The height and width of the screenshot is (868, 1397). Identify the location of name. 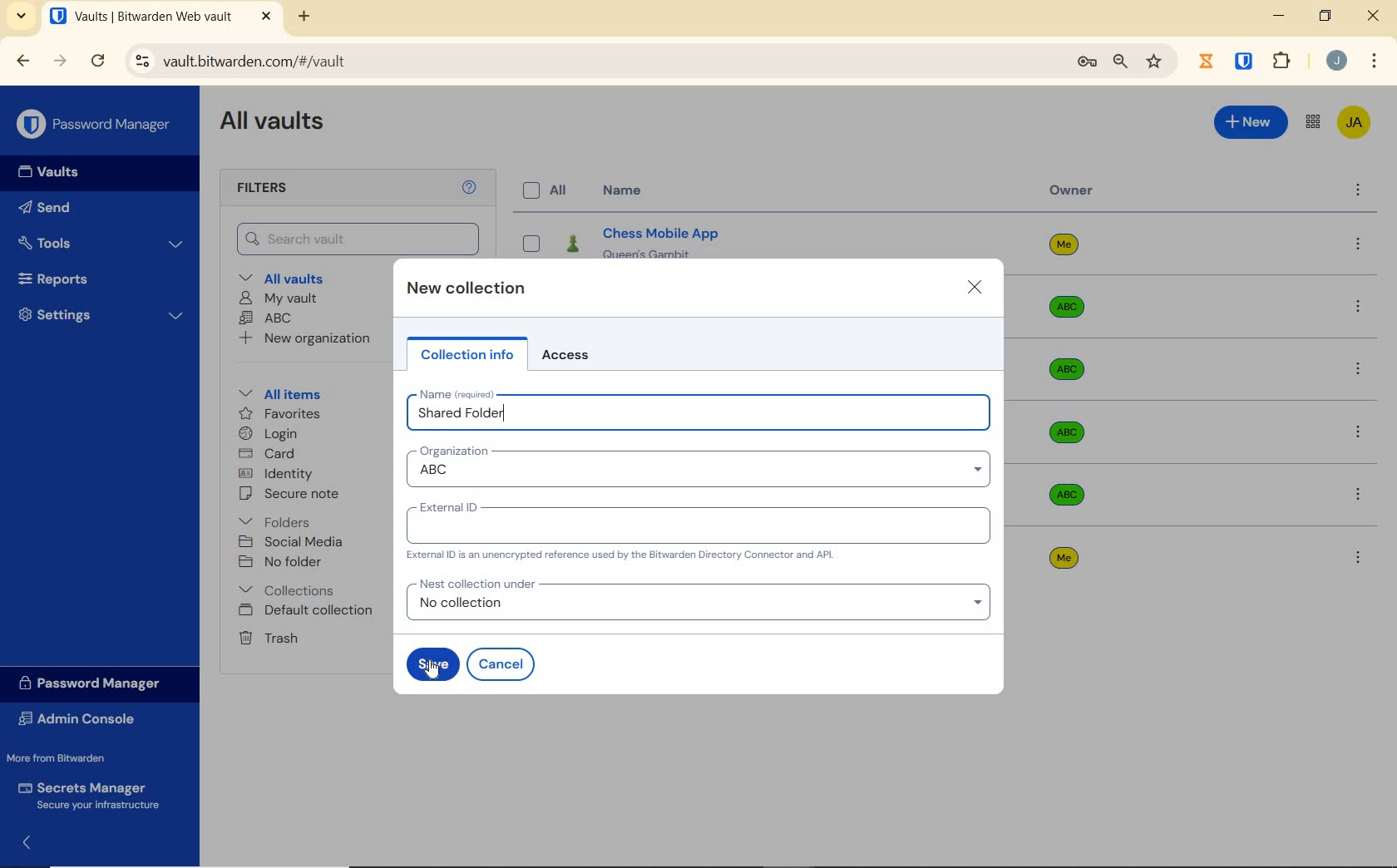
(454, 393).